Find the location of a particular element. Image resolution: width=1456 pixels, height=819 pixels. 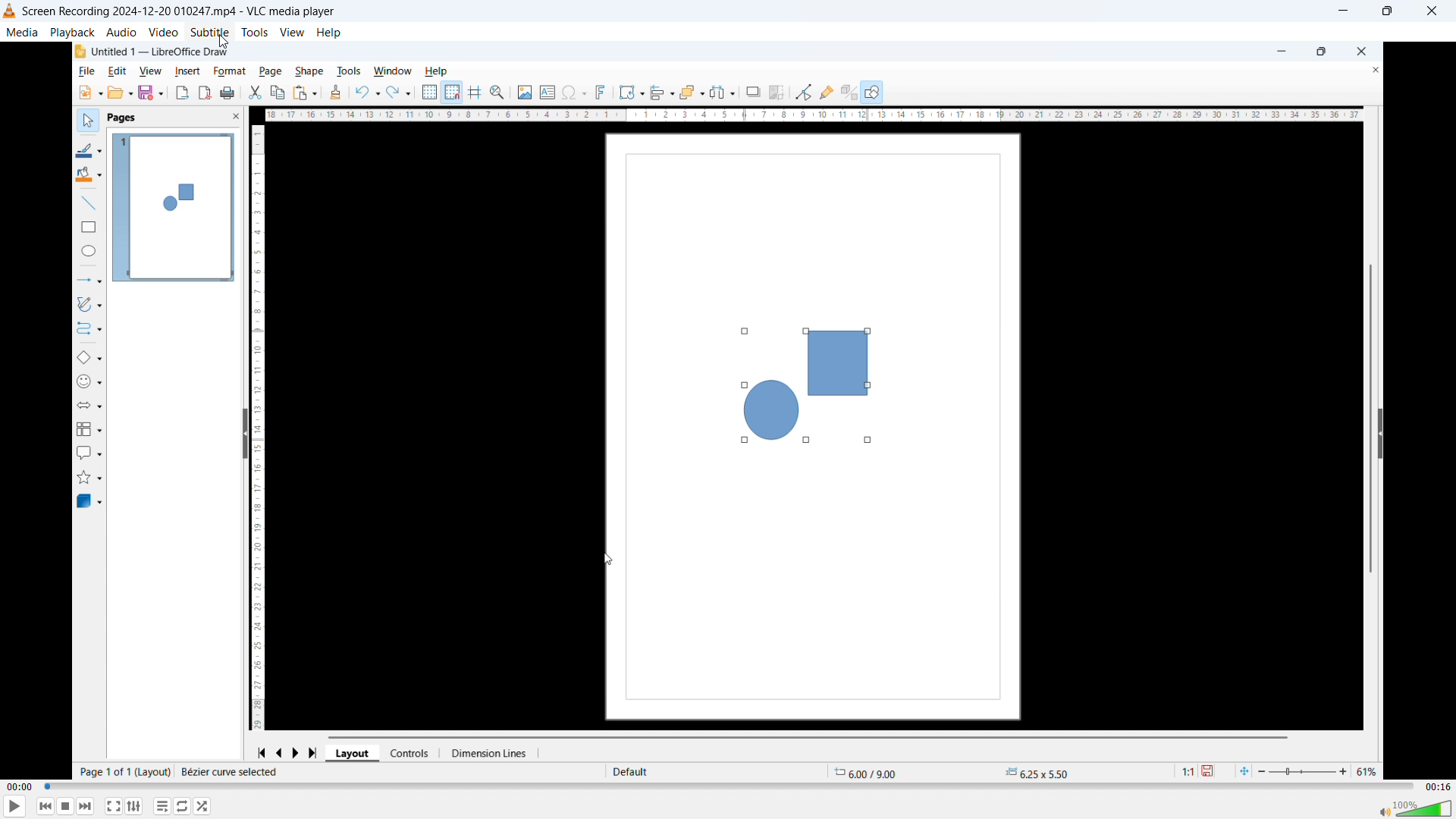

cut is located at coordinates (256, 93).